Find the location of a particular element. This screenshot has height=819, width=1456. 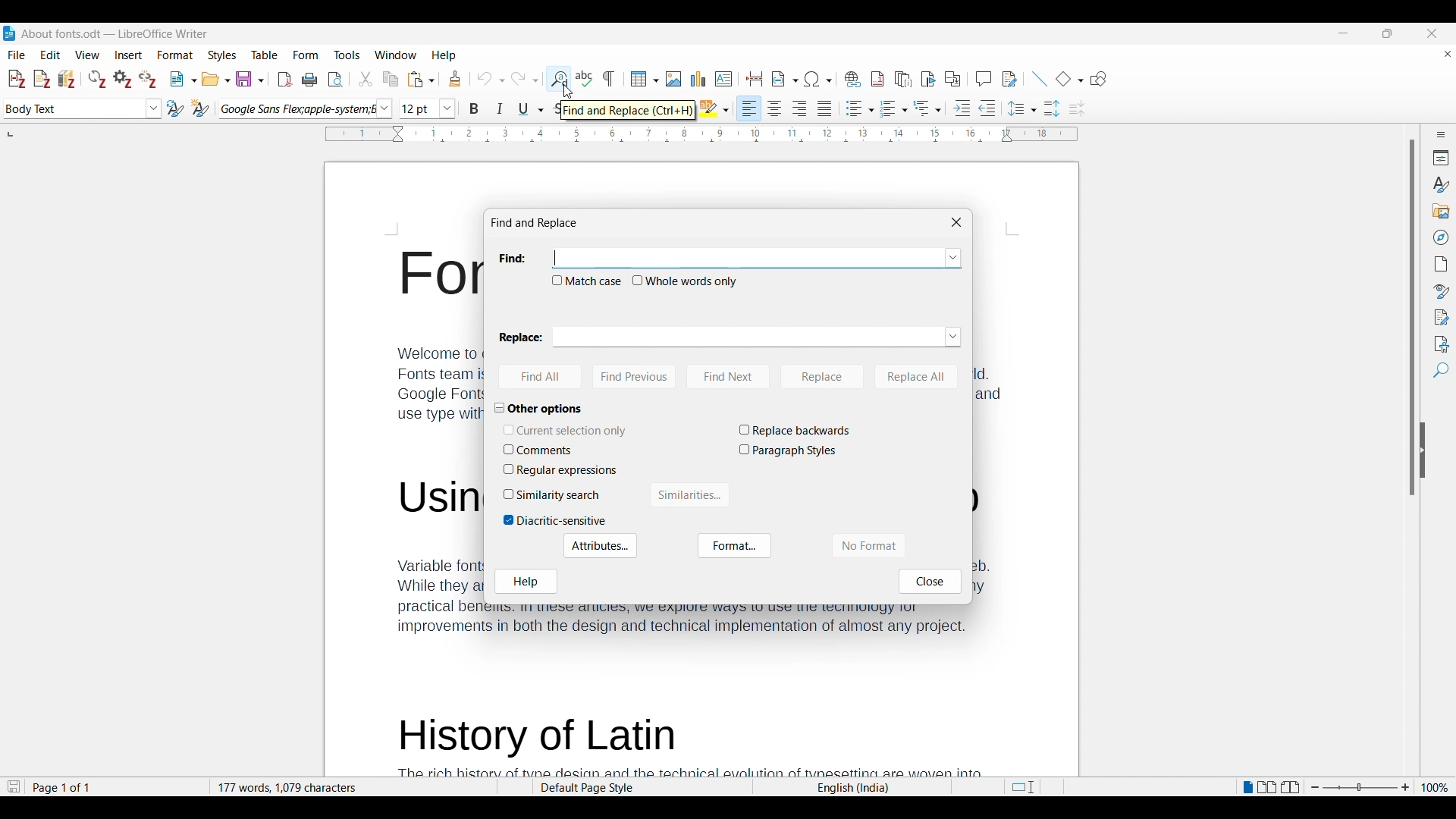

View menu is located at coordinates (88, 55).